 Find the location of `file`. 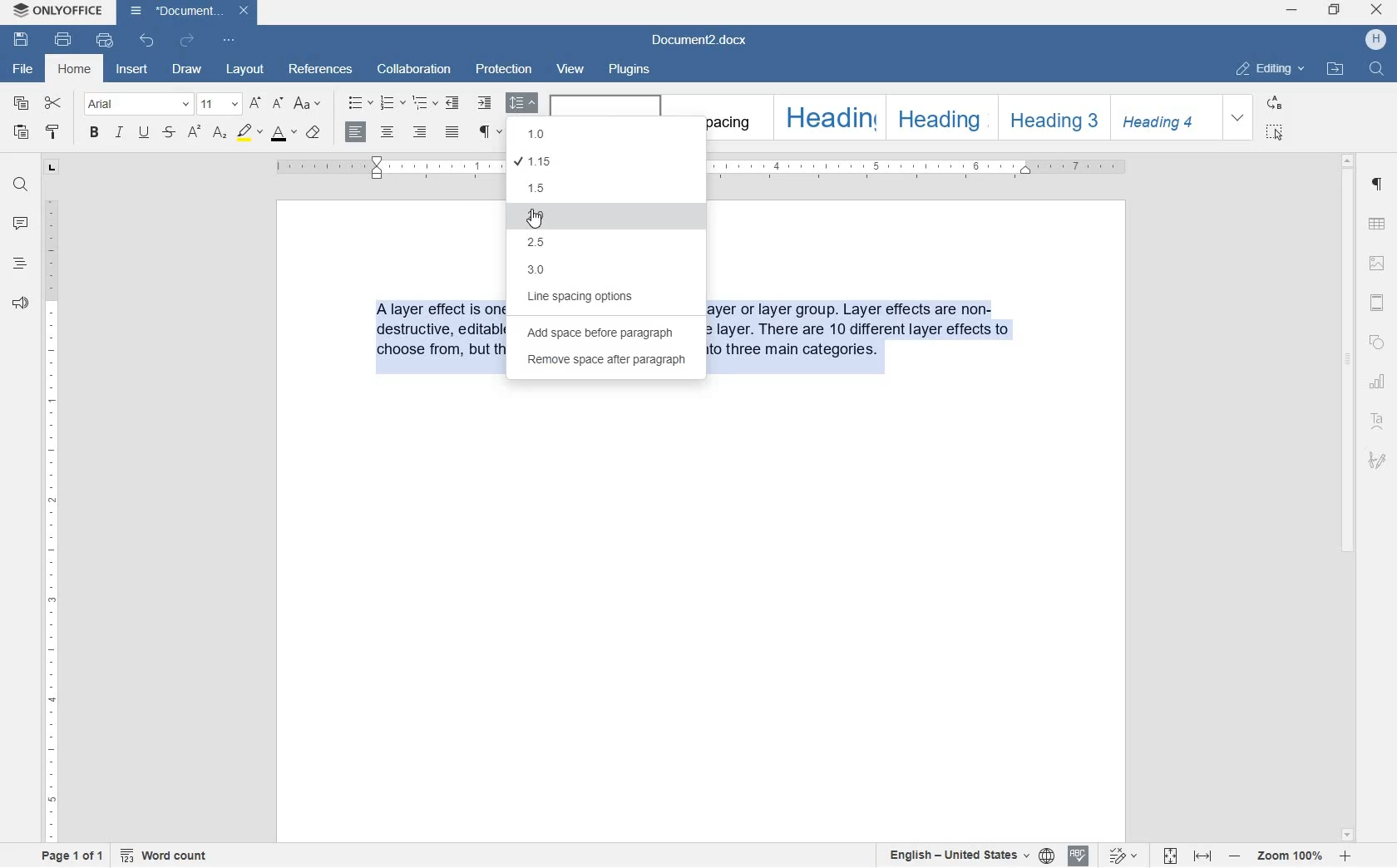

file is located at coordinates (23, 69).